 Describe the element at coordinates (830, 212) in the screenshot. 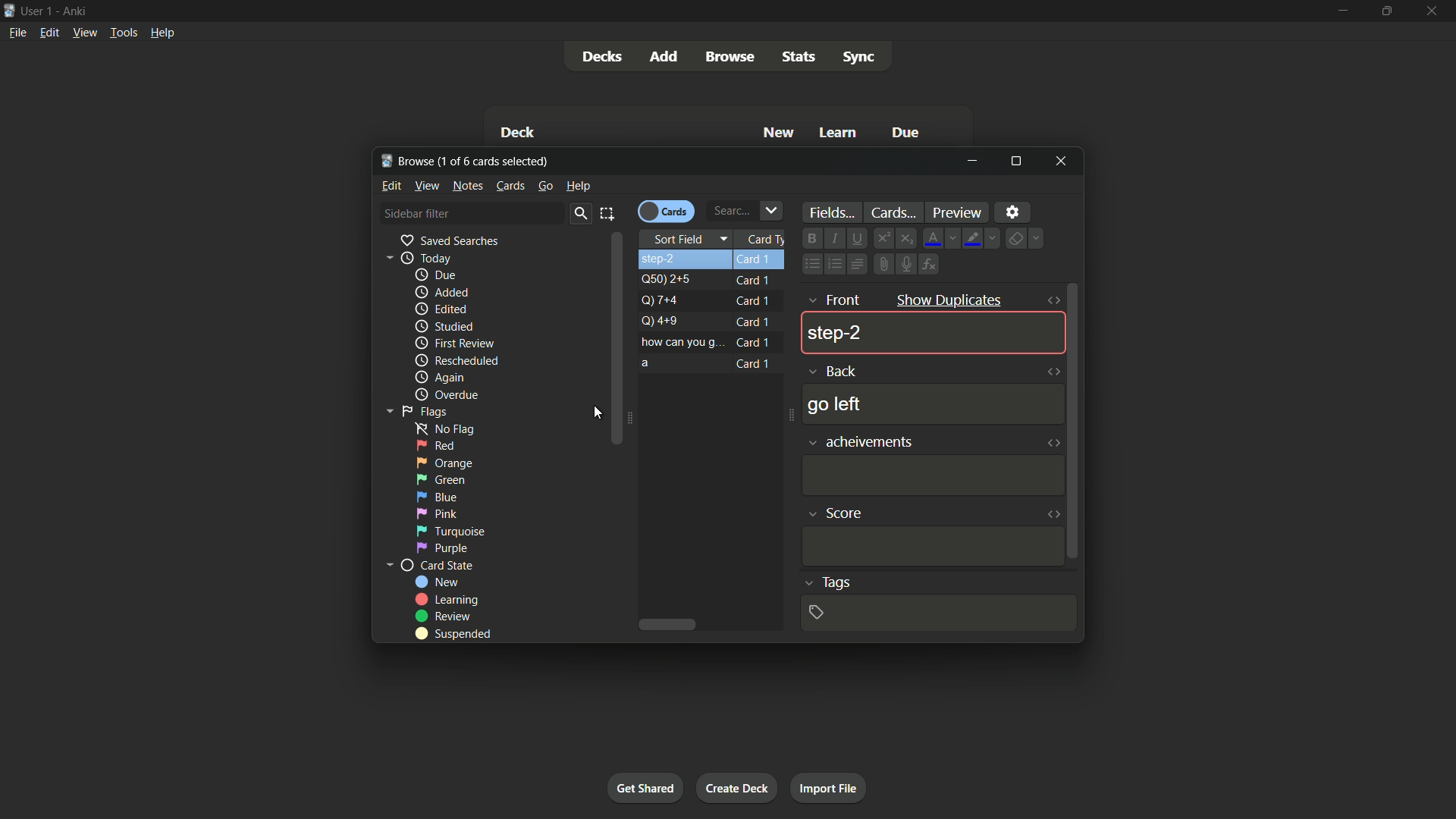

I see `Fields` at that location.